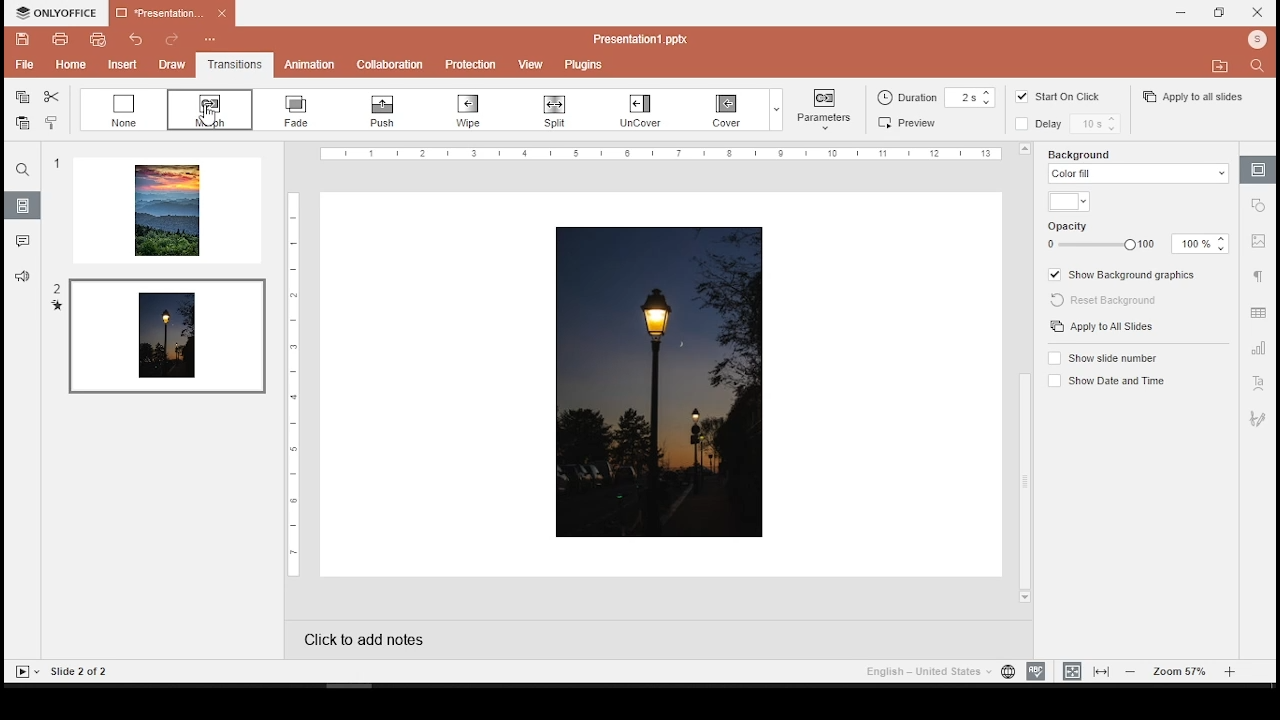 This screenshot has height=720, width=1280. I want to click on slide style, so click(1077, 99).